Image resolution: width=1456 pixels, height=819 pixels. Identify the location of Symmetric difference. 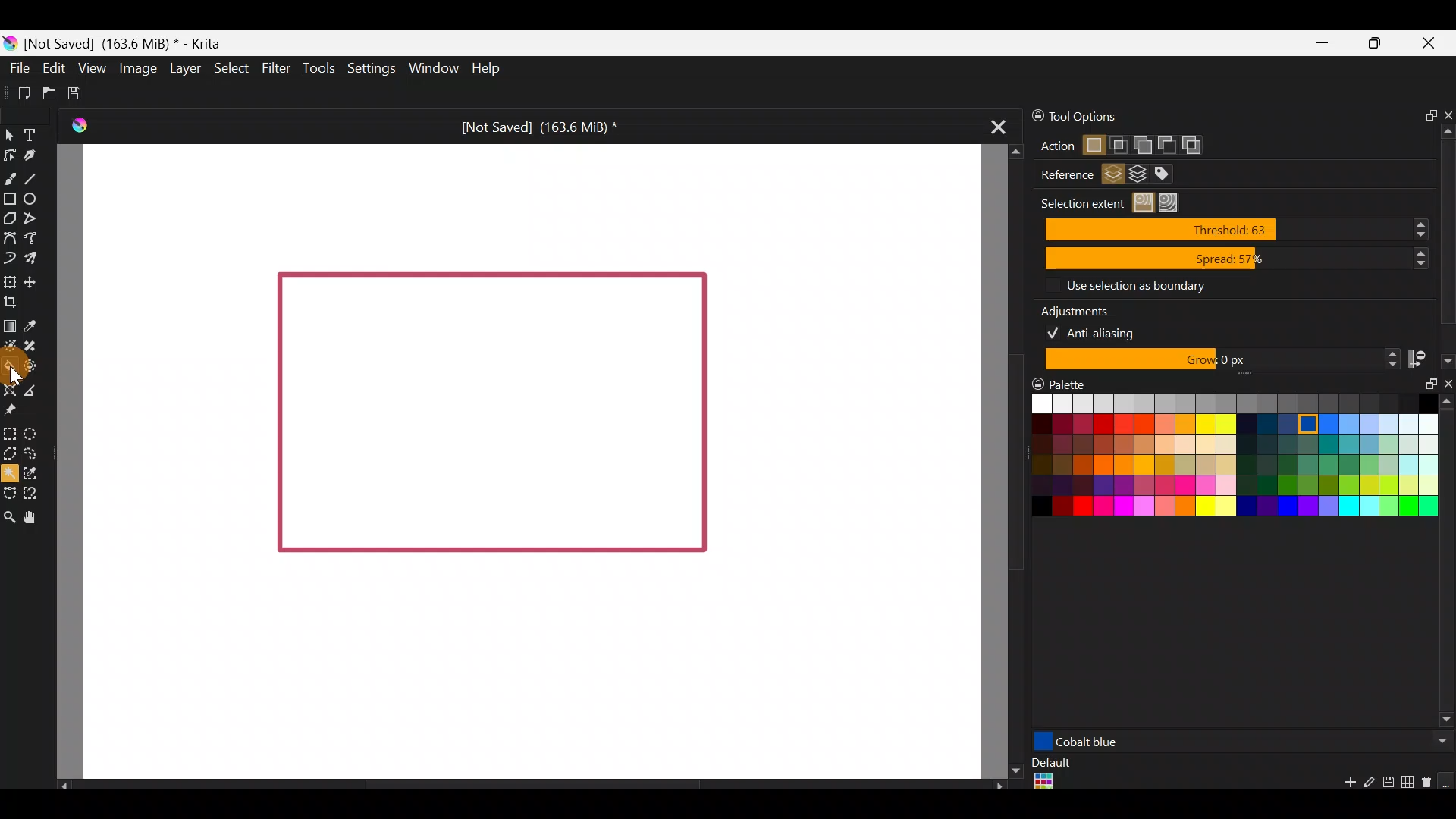
(1197, 145).